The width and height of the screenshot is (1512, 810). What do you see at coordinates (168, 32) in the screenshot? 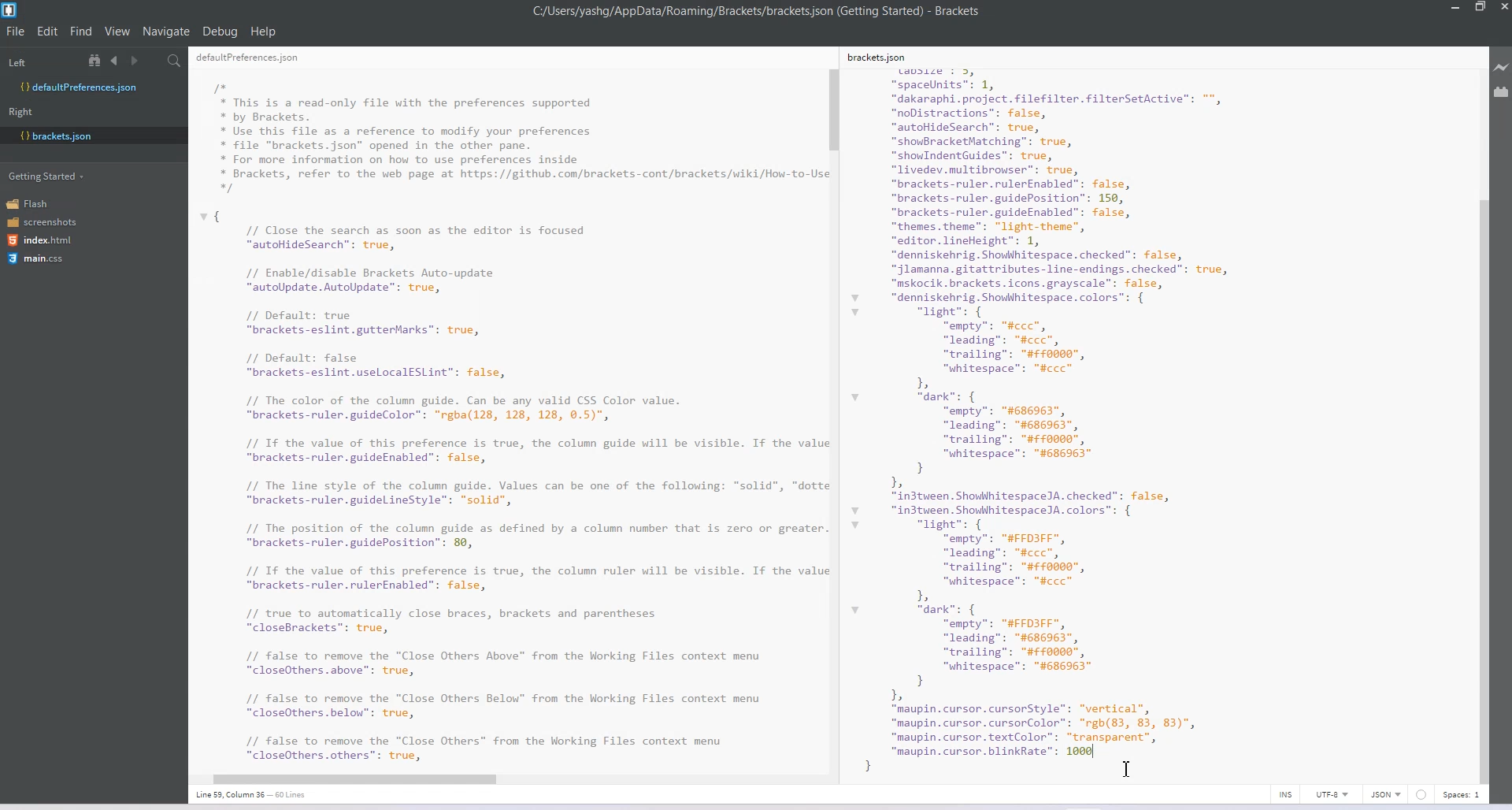
I see `Navigate` at bounding box center [168, 32].